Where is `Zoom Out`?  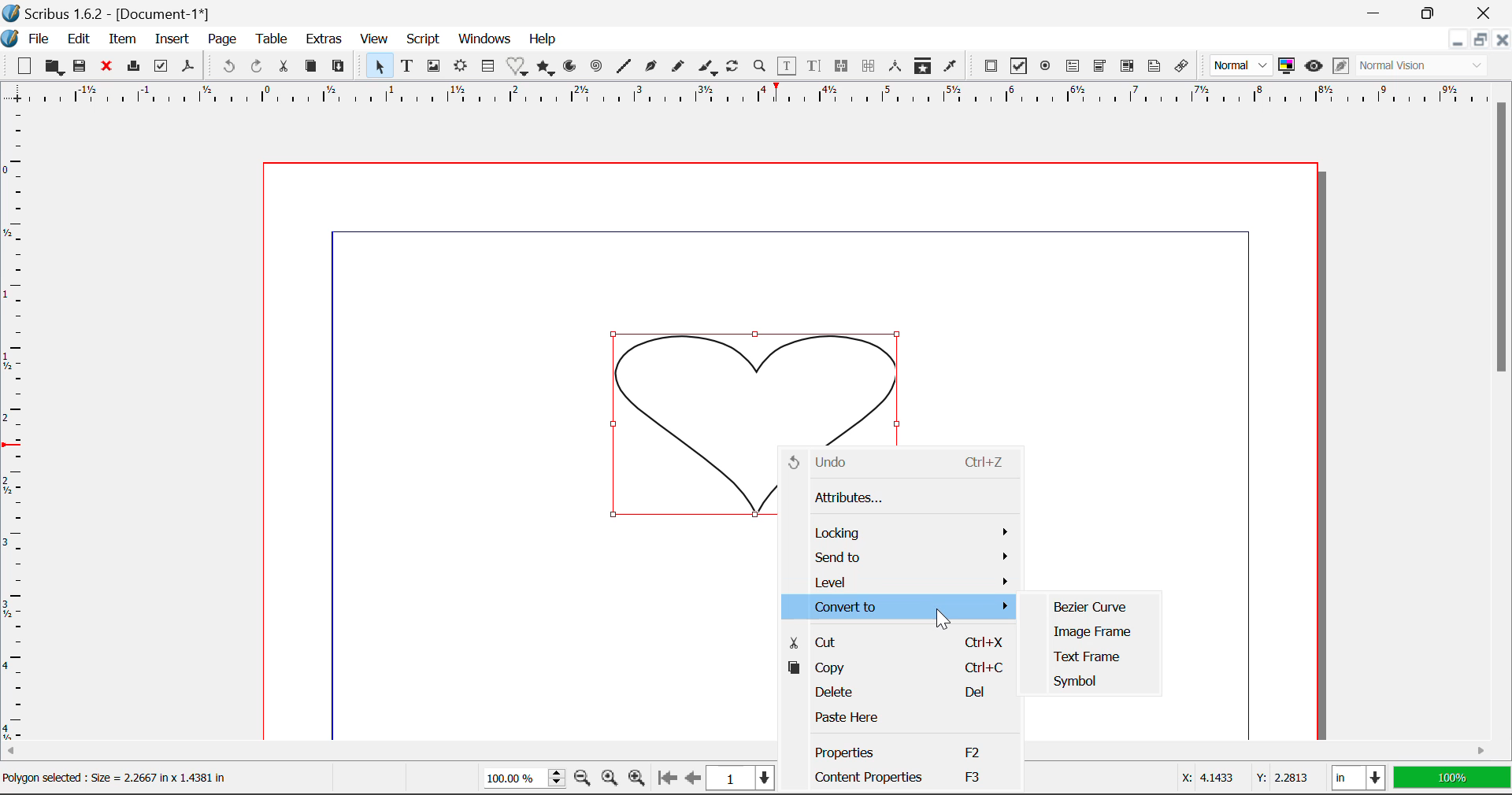
Zoom Out is located at coordinates (583, 779).